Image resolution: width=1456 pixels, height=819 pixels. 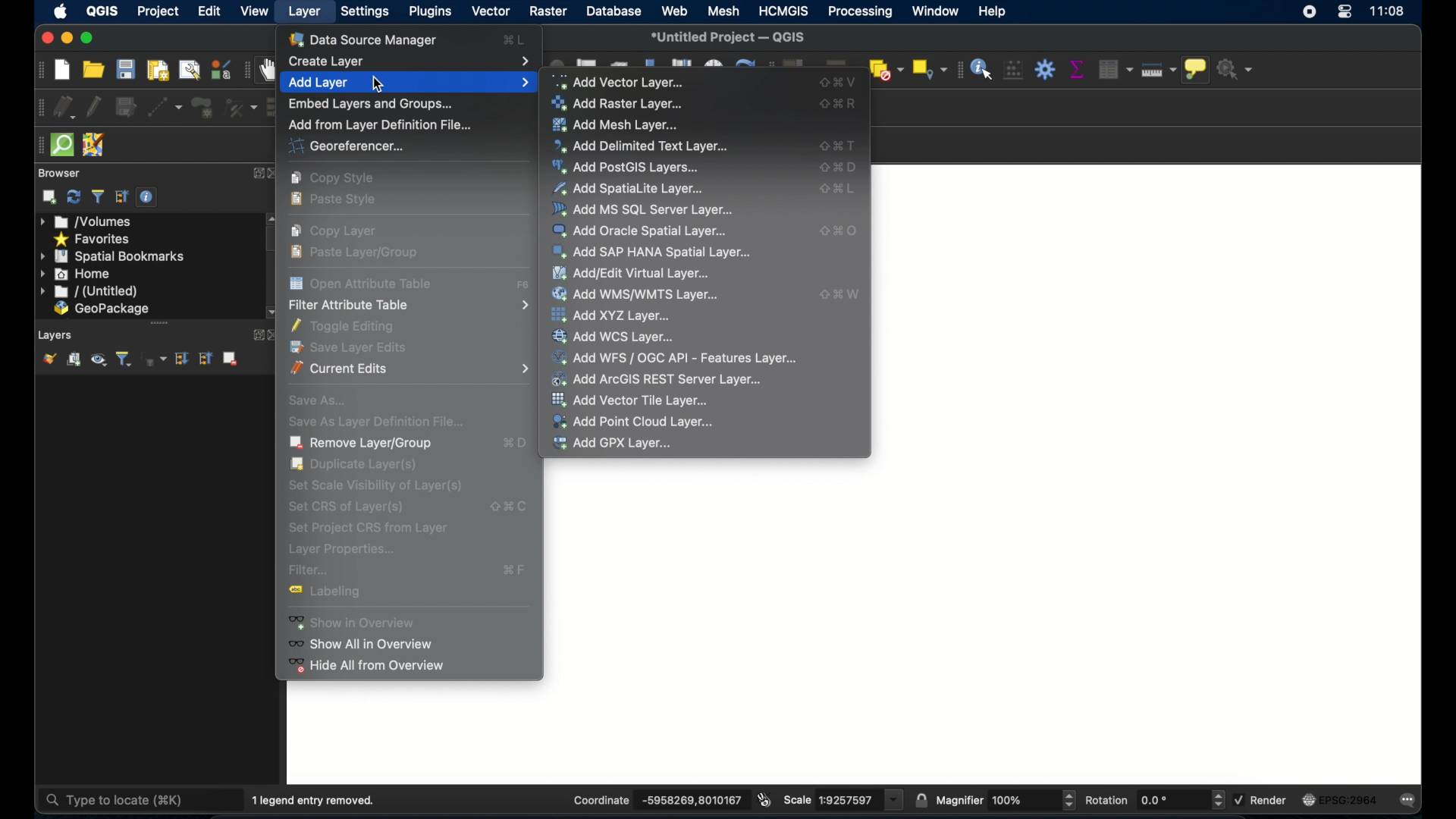 I want to click on rotations, so click(x=1107, y=799).